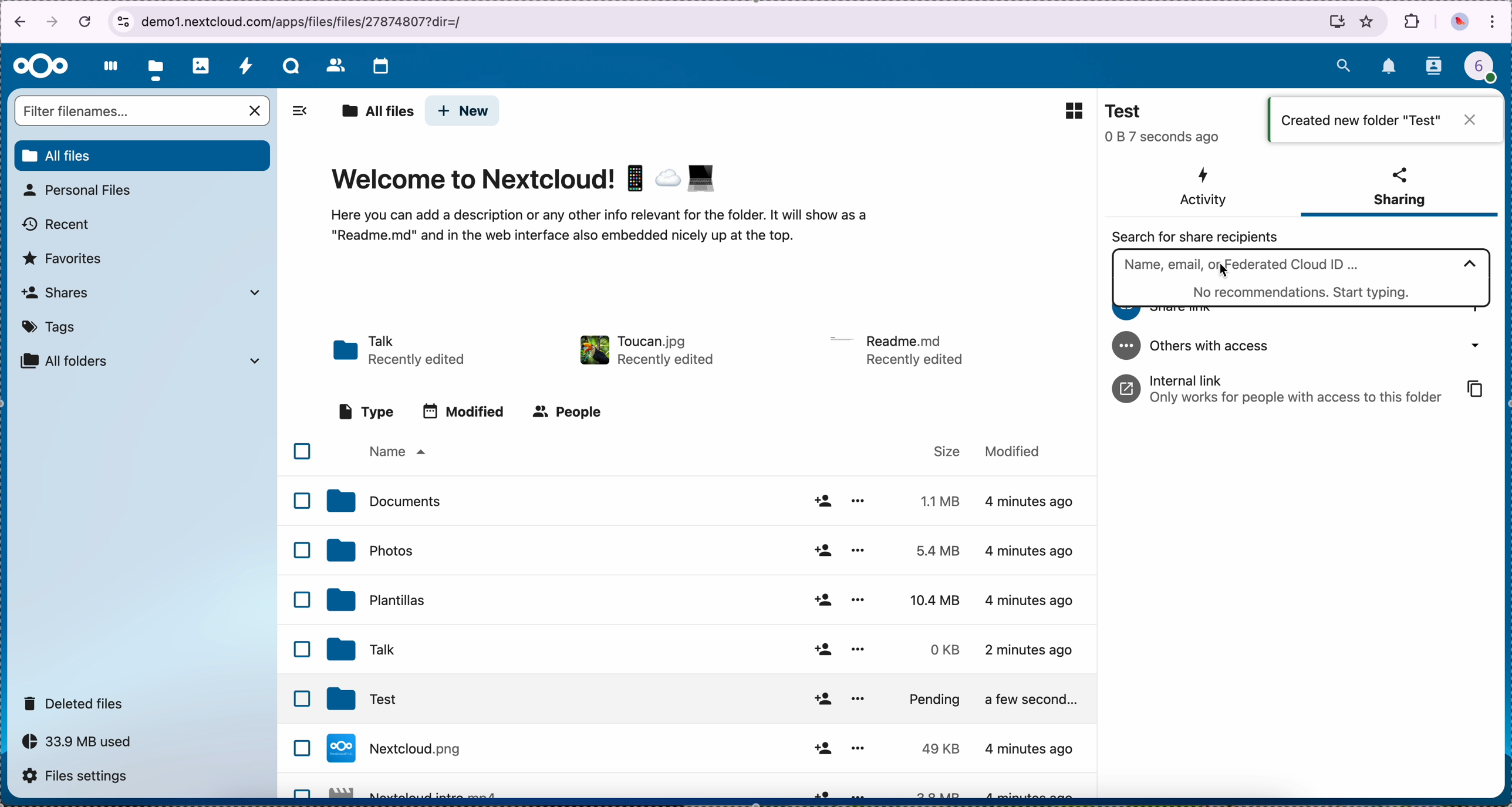 The height and width of the screenshot is (807, 1512). What do you see at coordinates (468, 413) in the screenshot?
I see `modified` at bounding box center [468, 413].